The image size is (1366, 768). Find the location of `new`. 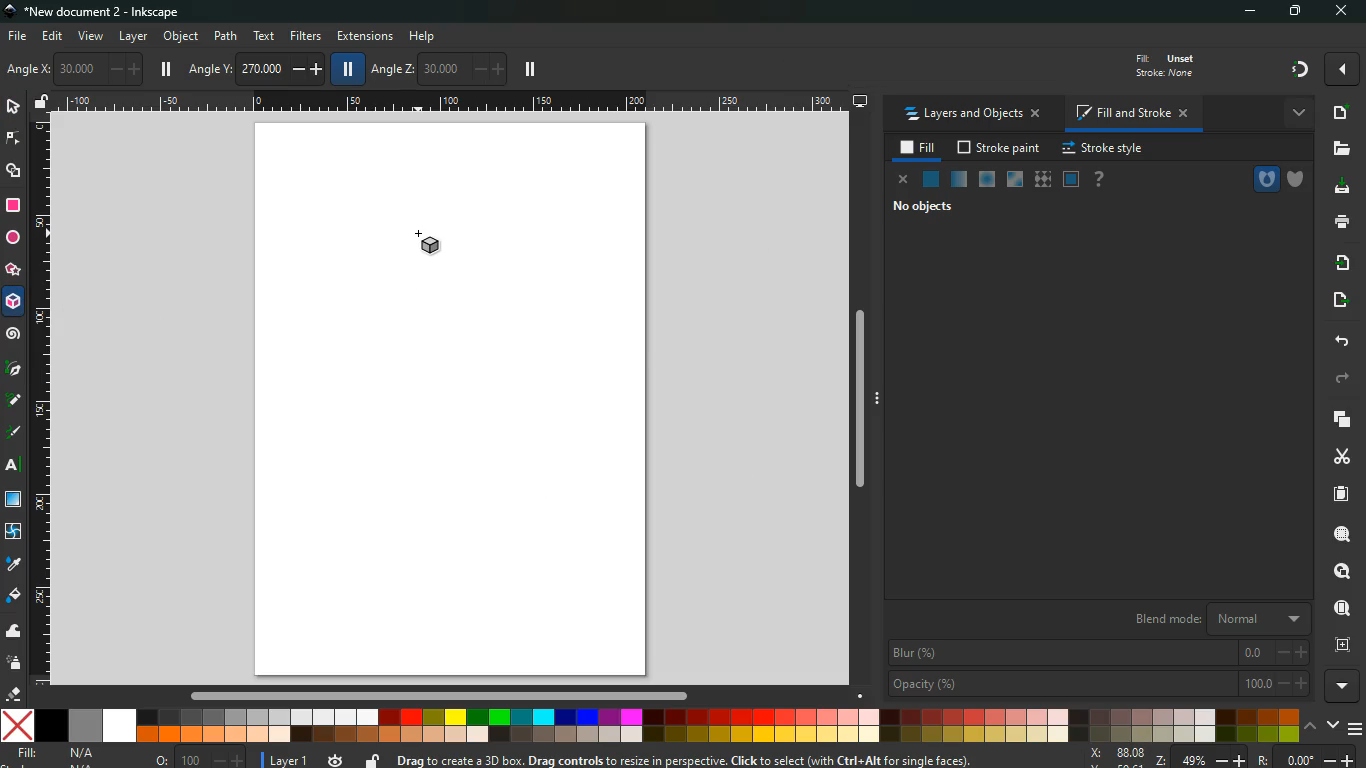

new is located at coordinates (1338, 113).